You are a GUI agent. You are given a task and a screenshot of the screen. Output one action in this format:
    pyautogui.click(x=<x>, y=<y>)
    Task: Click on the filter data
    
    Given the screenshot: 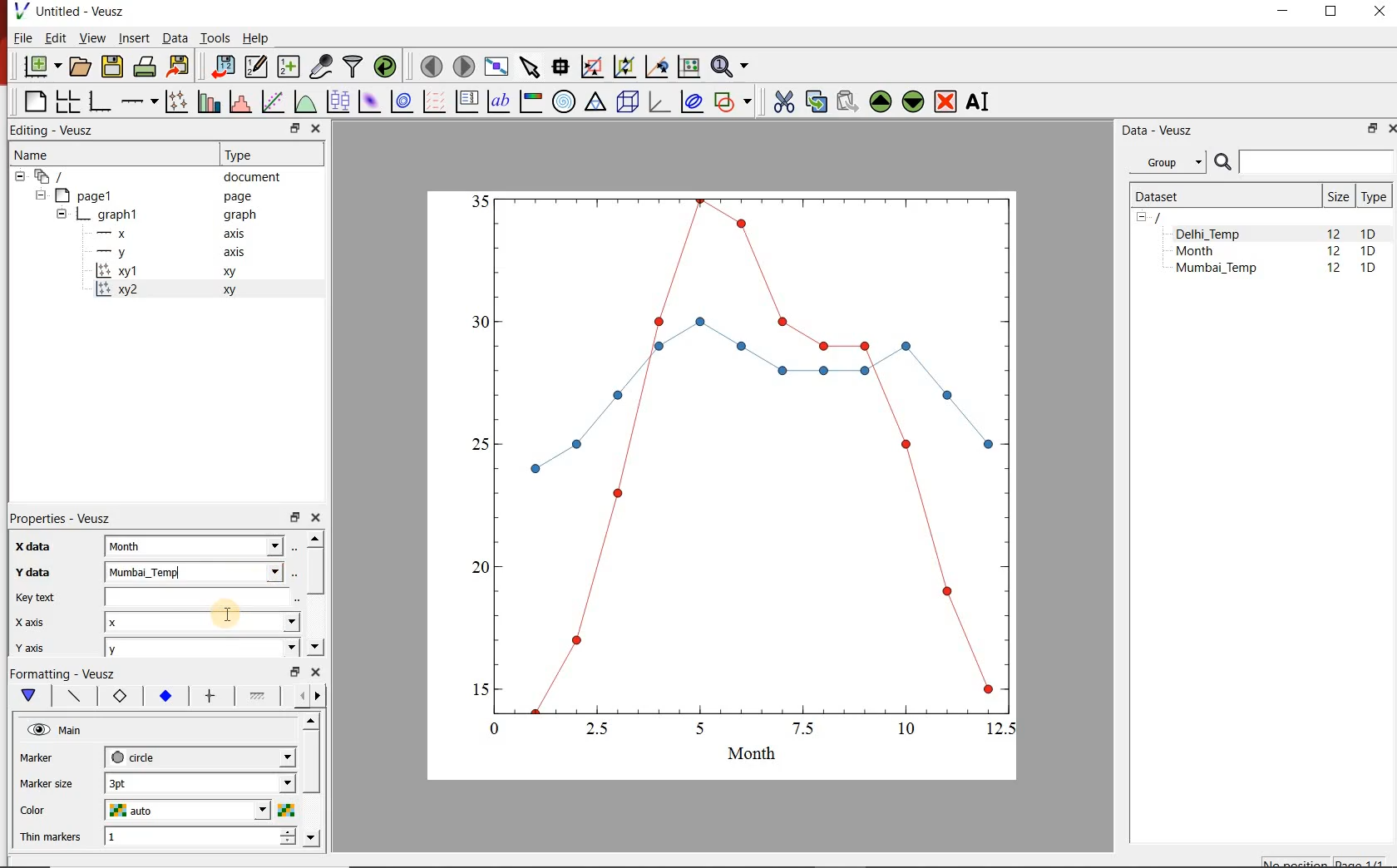 What is the action you would take?
    pyautogui.click(x=353, y=67)
    